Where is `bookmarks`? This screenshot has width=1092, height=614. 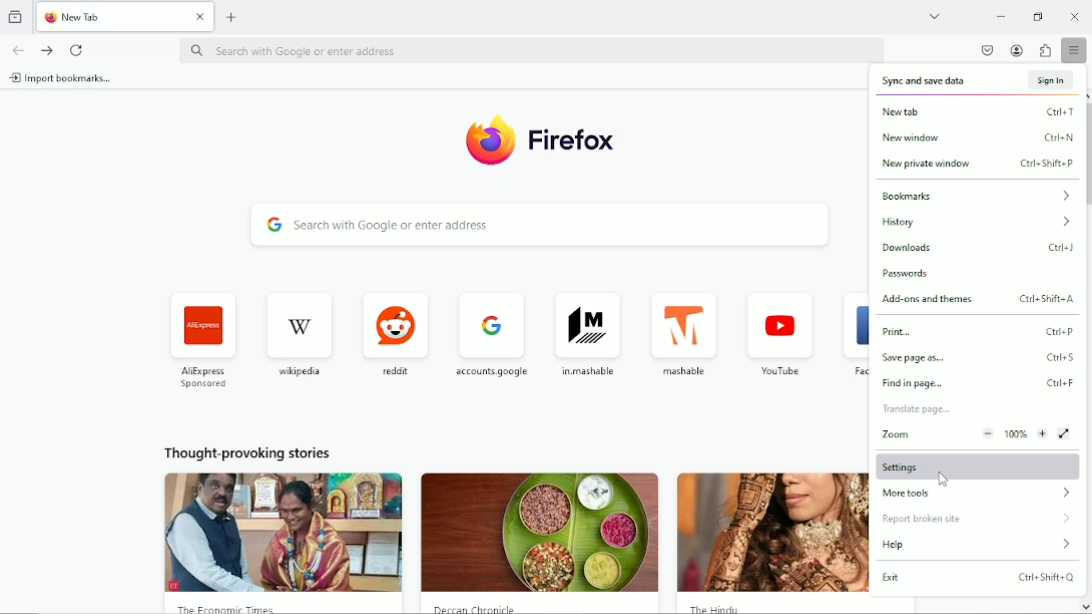 bookmarks is located at coordinates (975, 196).